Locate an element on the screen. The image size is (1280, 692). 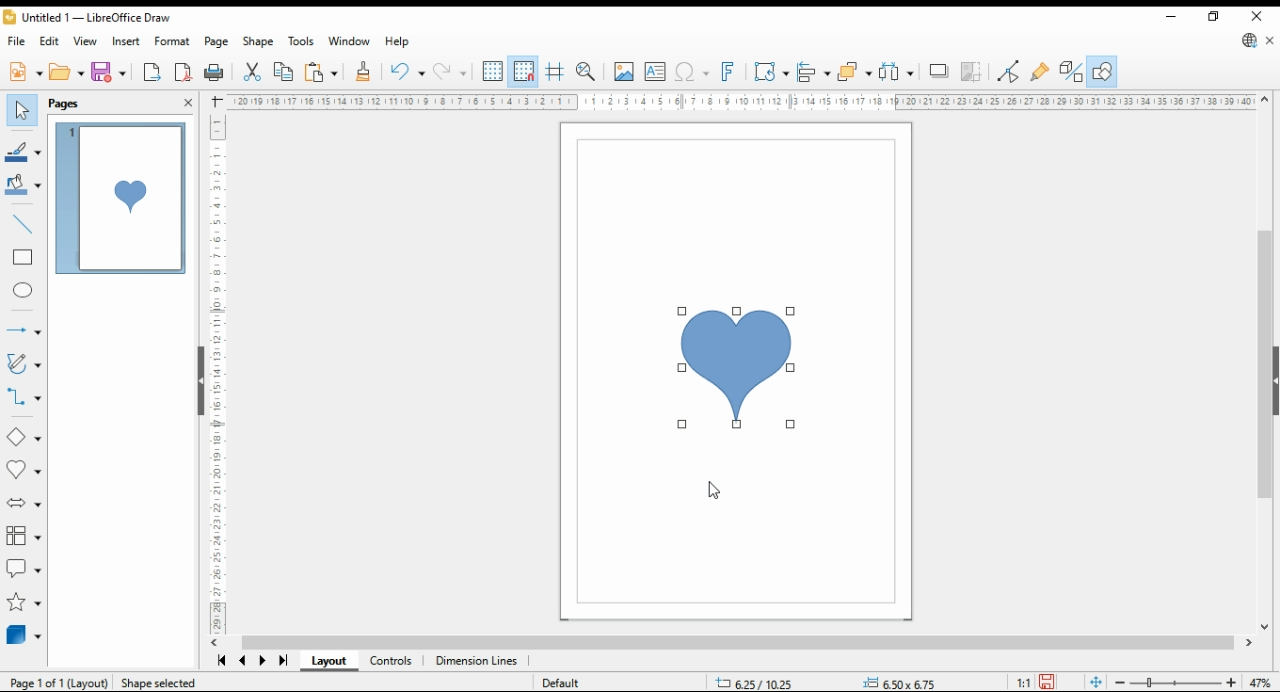
format is located at coordinates (171, 42).